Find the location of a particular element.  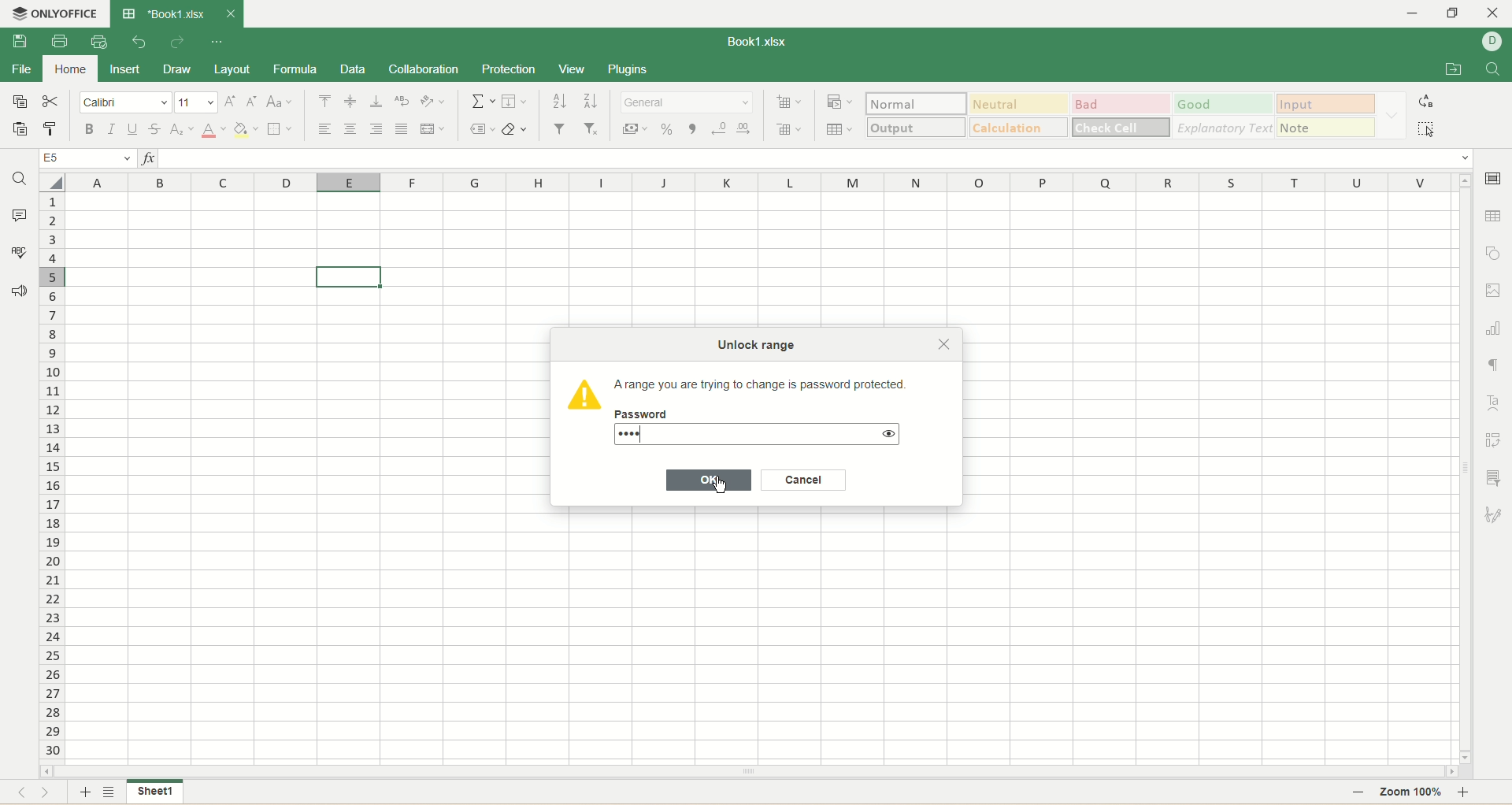

text color is located at coordinates (213, 132).